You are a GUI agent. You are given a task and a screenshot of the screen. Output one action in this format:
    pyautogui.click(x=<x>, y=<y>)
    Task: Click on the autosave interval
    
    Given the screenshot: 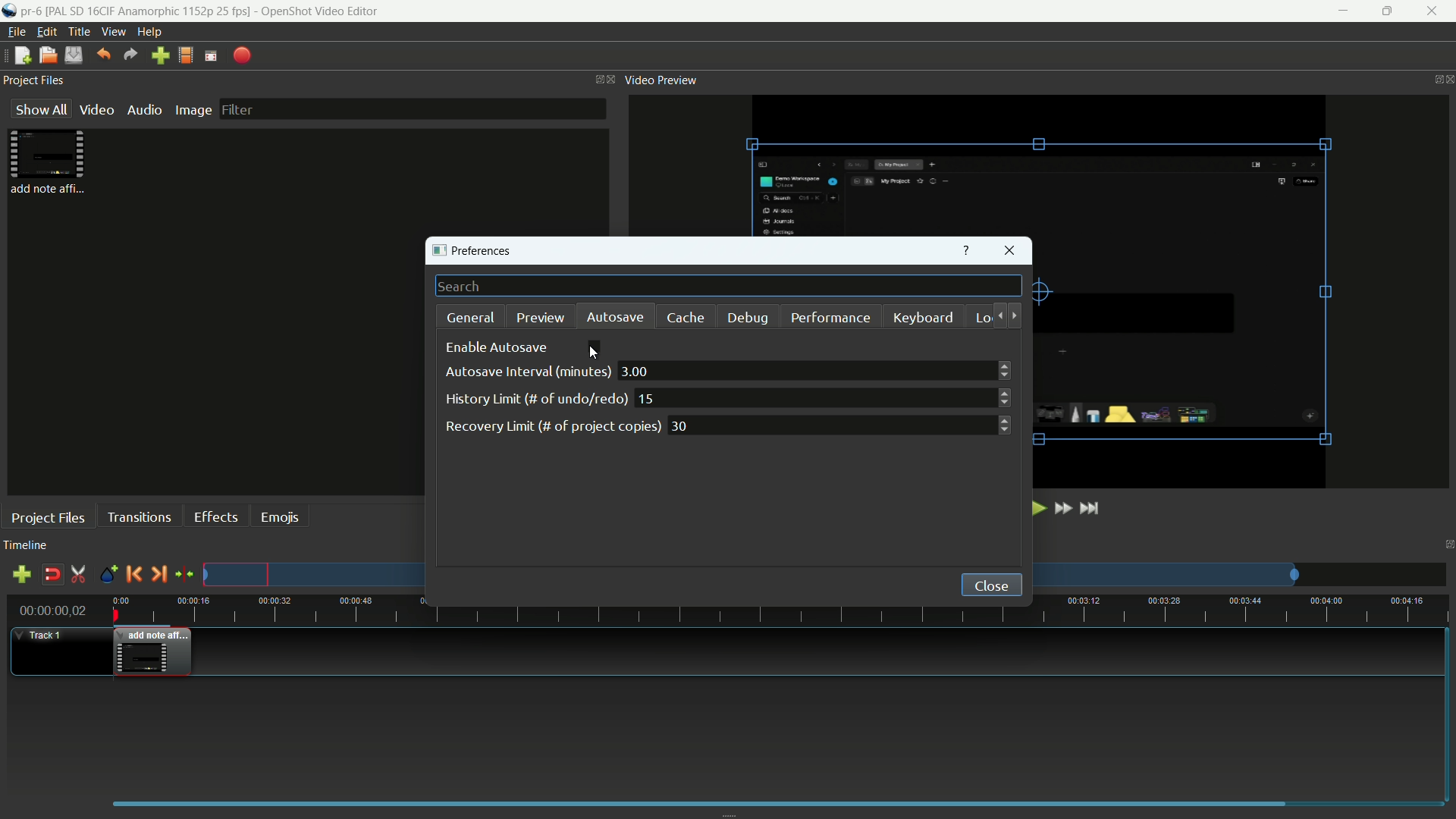 What is the action you would take?
    pyautogui.click(x=526, y=372)
    